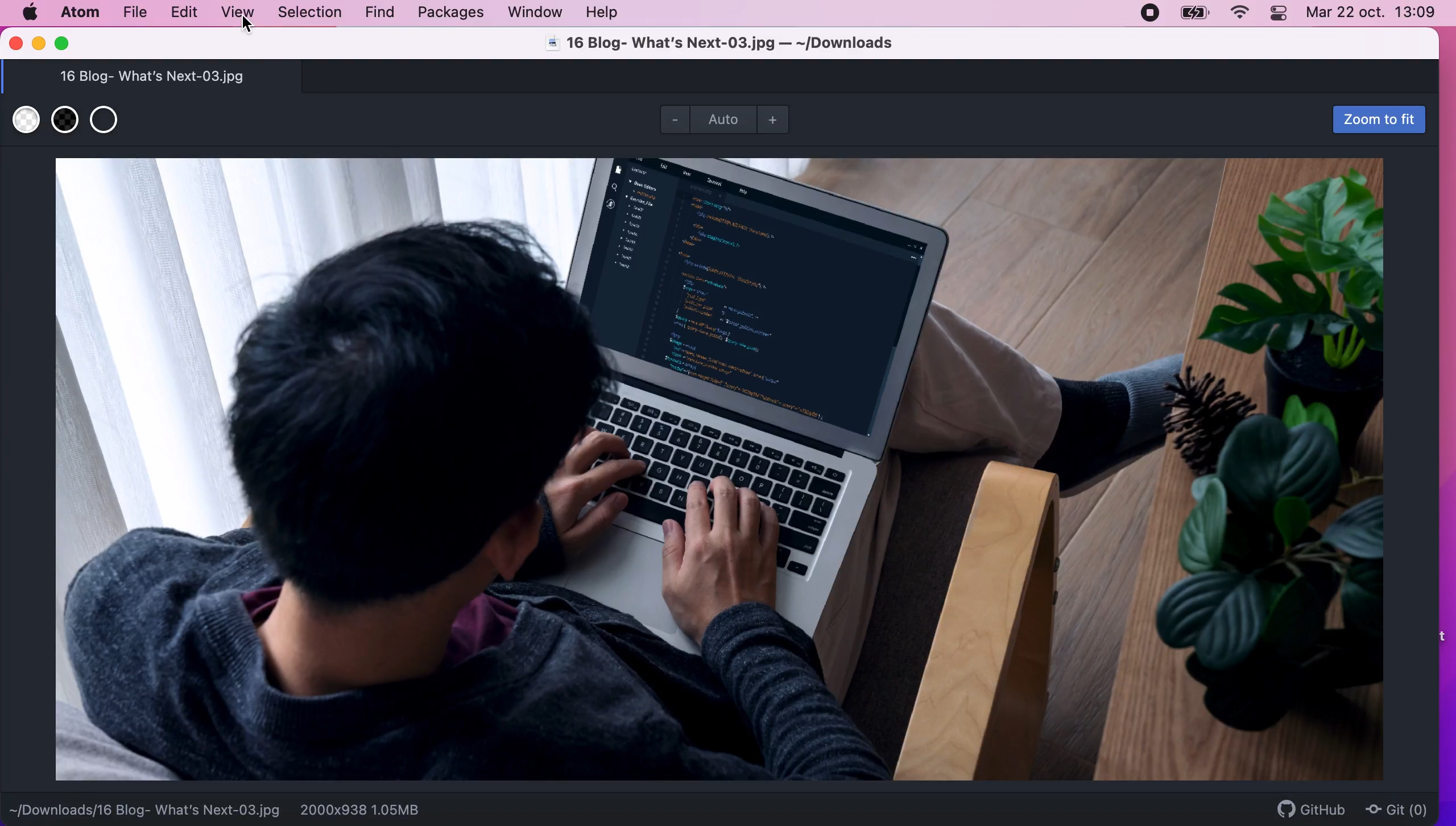 This screenshot has height=826, width=1456. I want to click on battery, so click(1191, 14).